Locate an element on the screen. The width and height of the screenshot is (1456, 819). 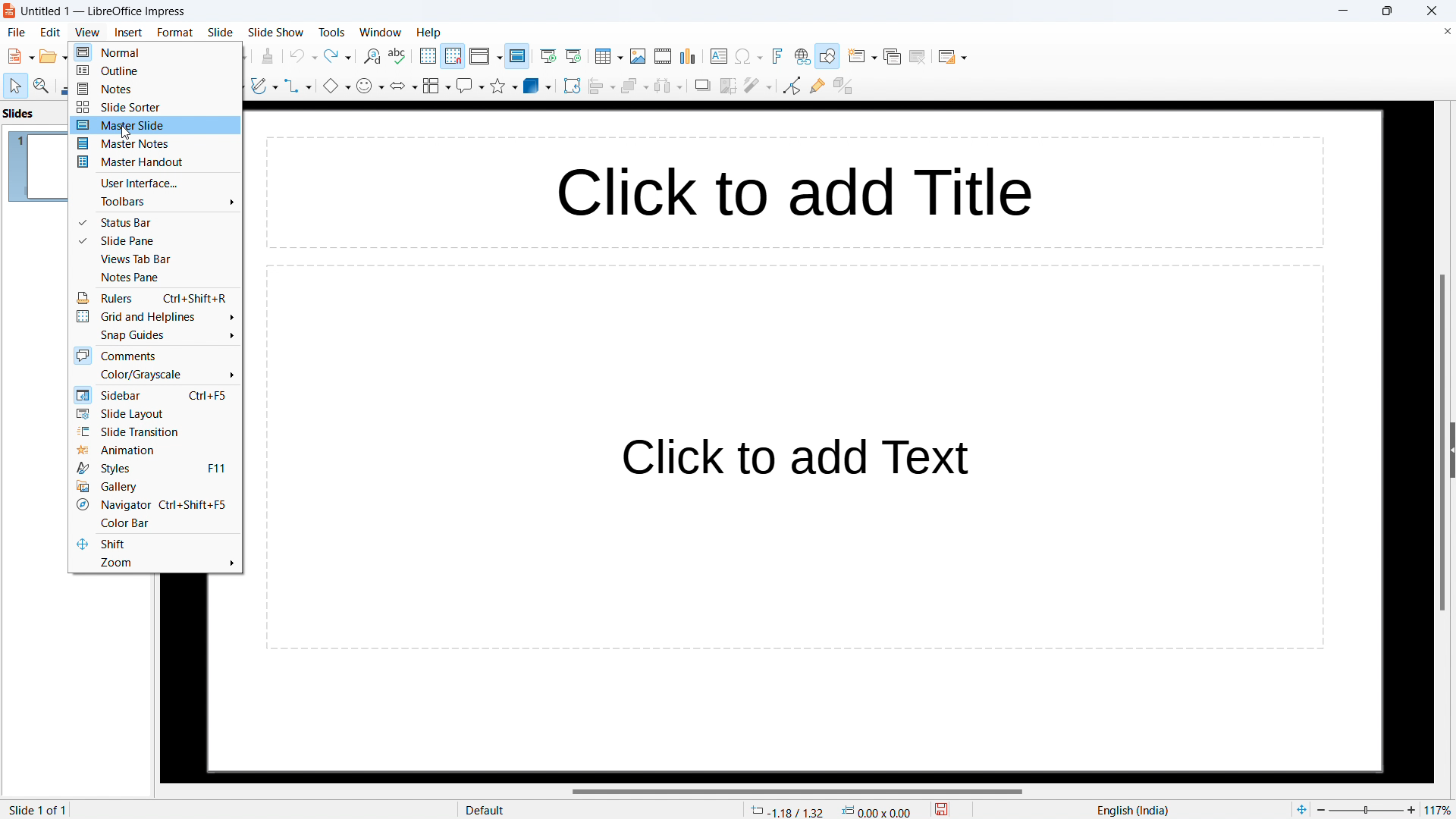
rotate is located at coordinates (572, 86).